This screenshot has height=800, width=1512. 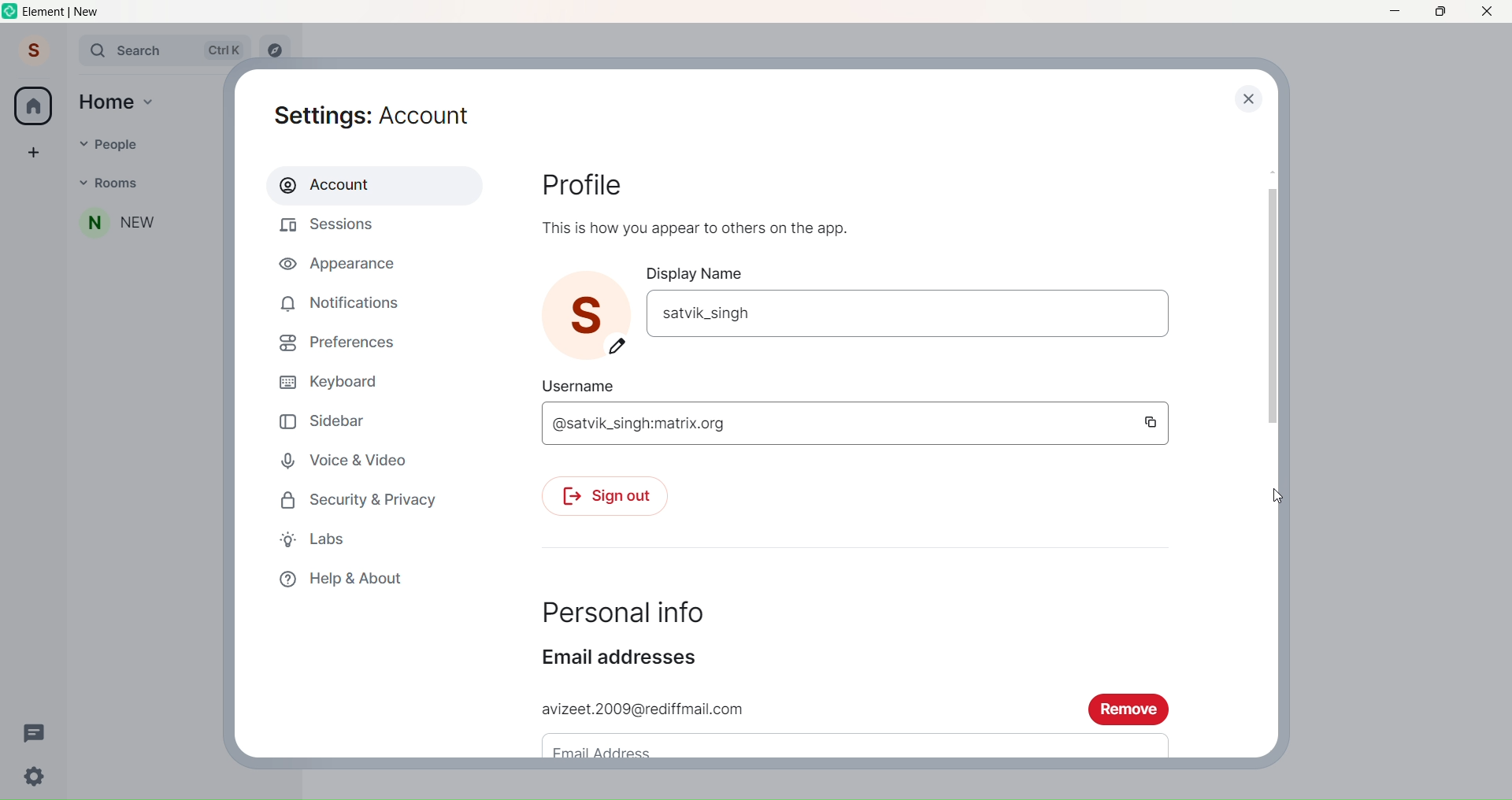 I want to click on Settings, so click(x=384, y=113).